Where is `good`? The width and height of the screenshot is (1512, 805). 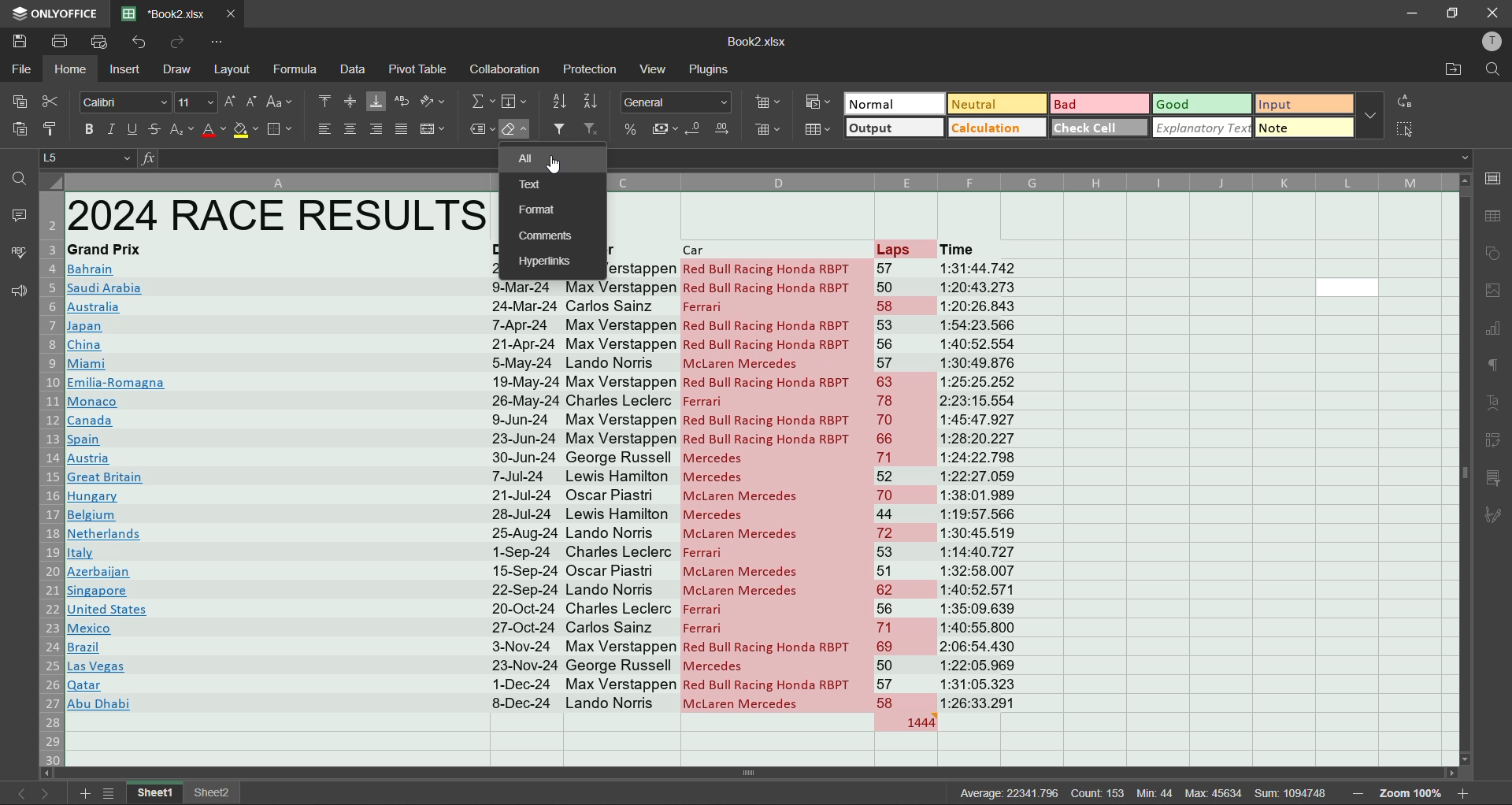 good is located at coordinates (1203, 105).